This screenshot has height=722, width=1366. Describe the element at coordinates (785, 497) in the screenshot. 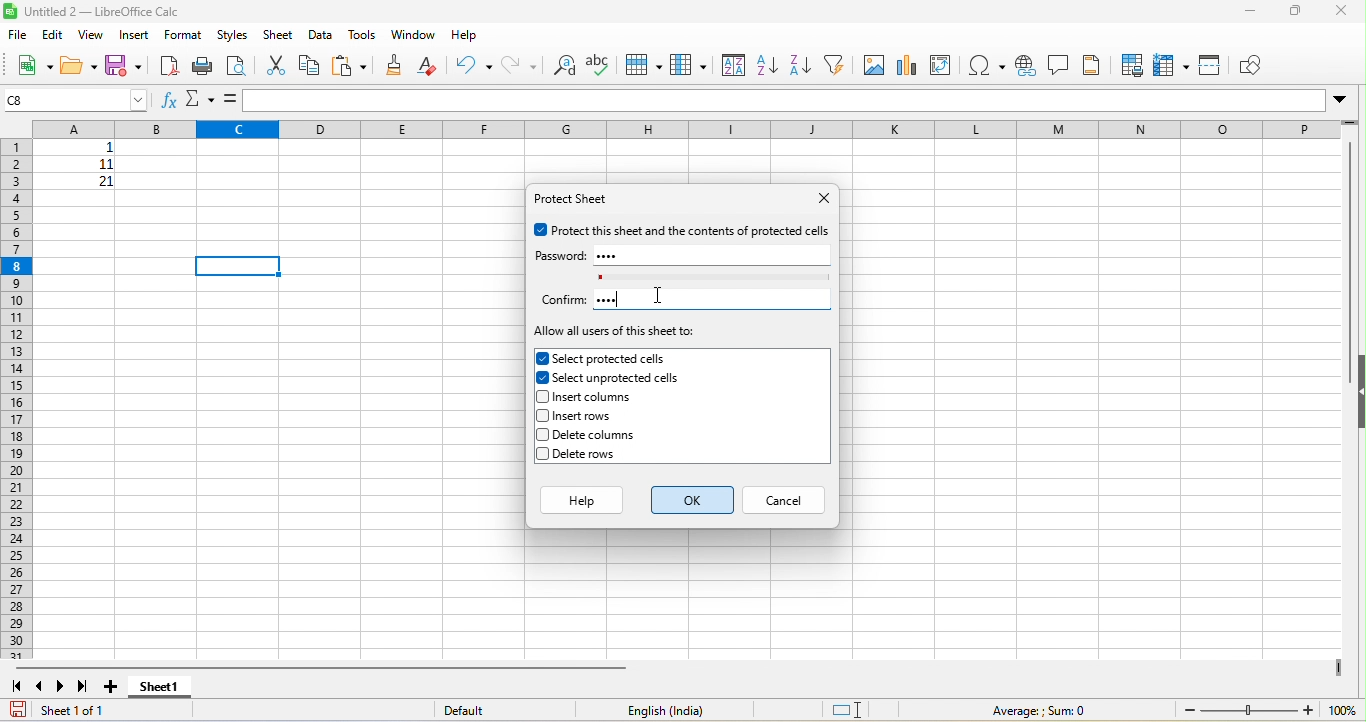

I see `cancel` at that location.